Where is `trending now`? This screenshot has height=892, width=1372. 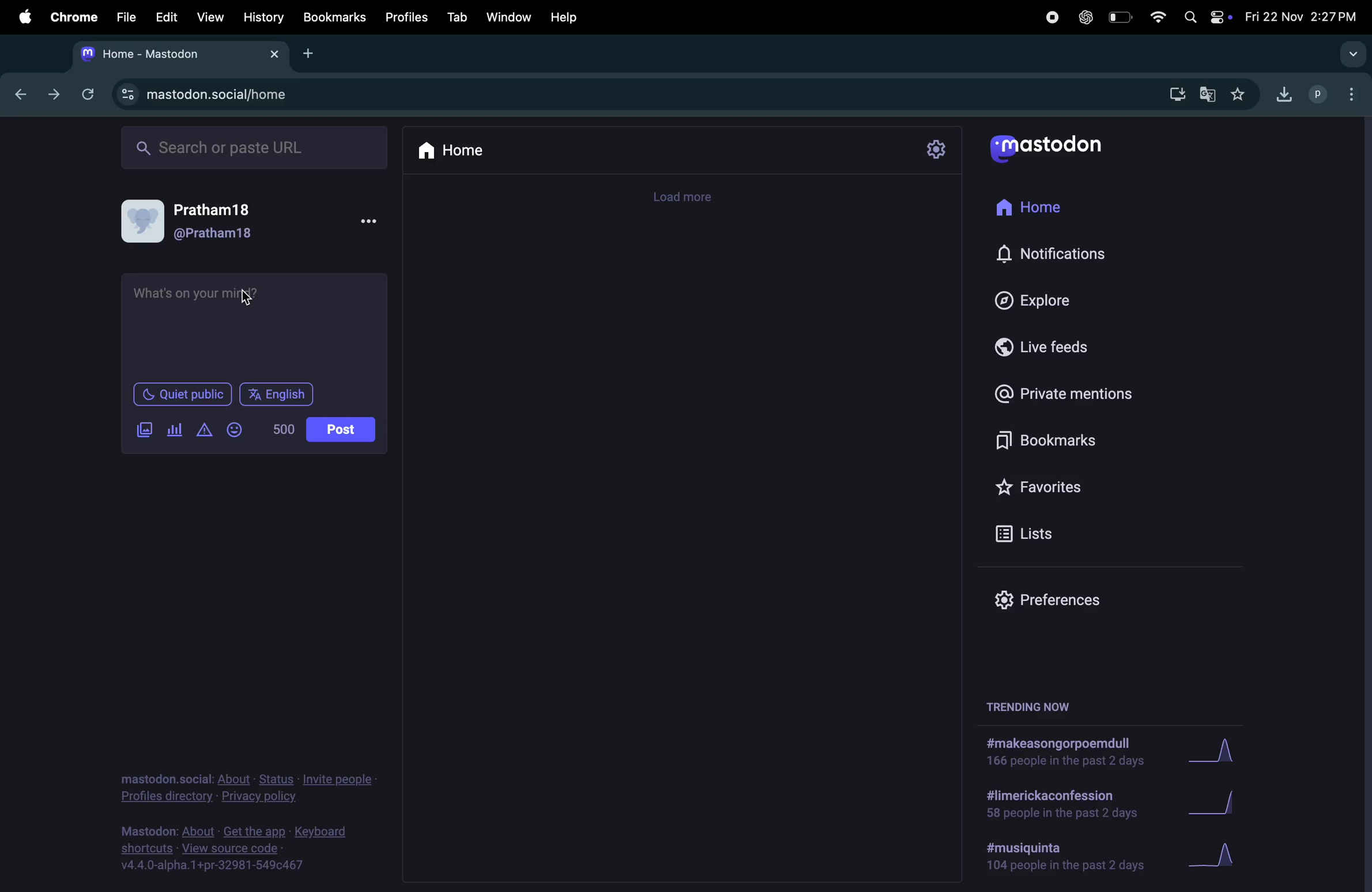 trending now is located at coordinates (1041, 704).